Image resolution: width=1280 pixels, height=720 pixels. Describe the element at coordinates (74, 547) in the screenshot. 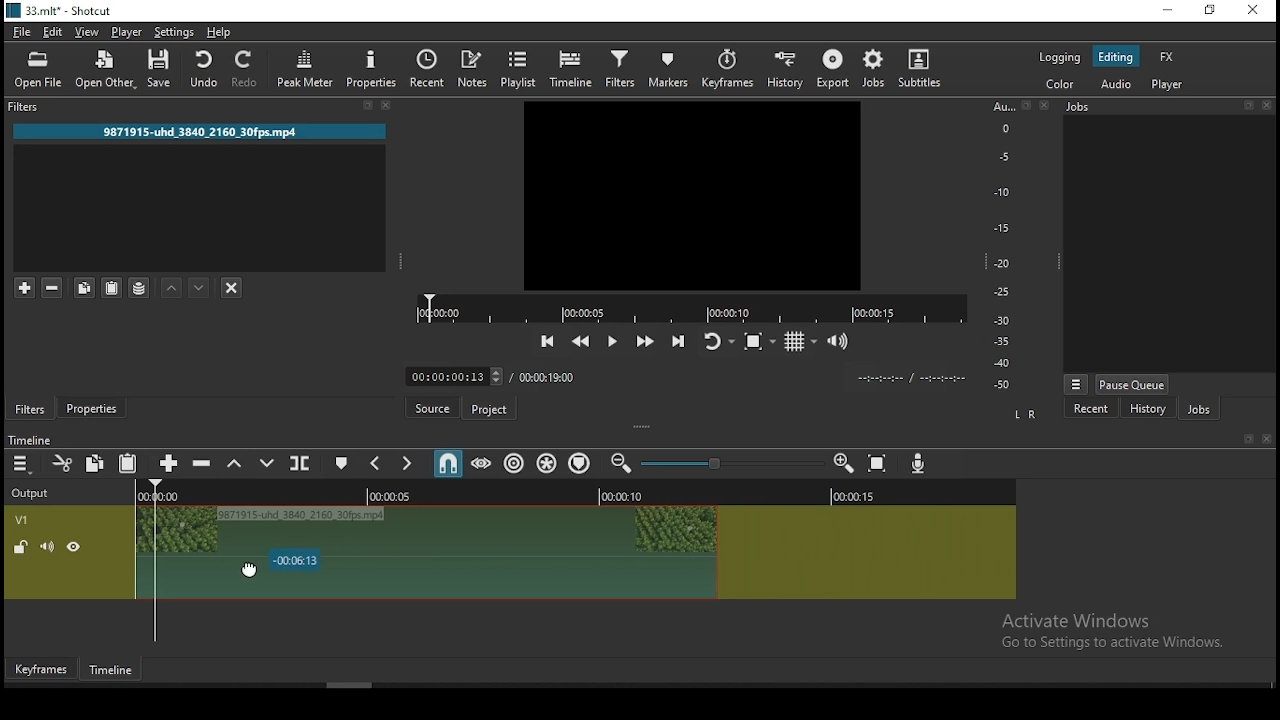

I see `view/hide` at that location.